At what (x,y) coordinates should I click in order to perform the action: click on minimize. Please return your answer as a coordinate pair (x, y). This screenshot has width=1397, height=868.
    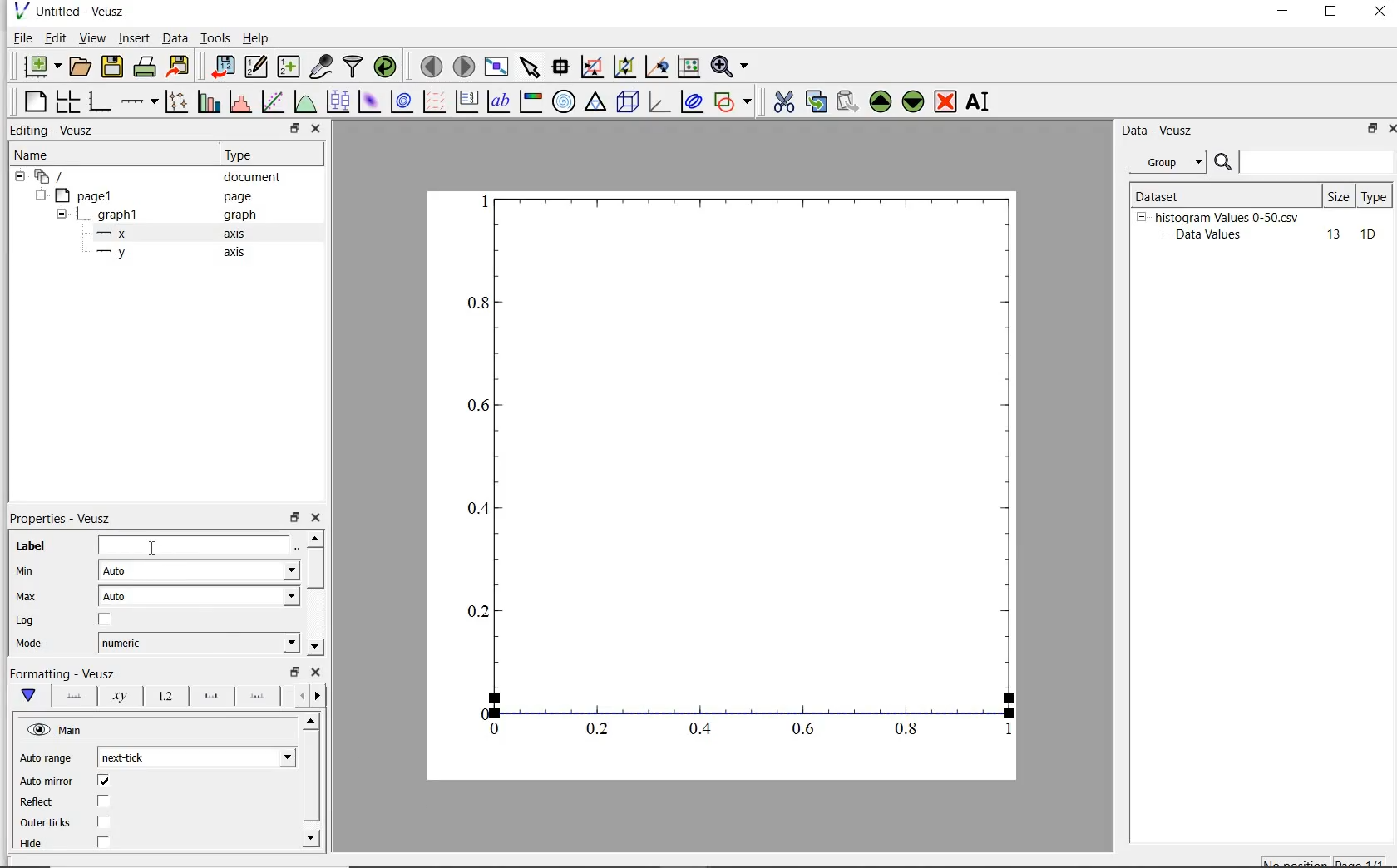
    Looking at the image, I should click on (1284, 13).